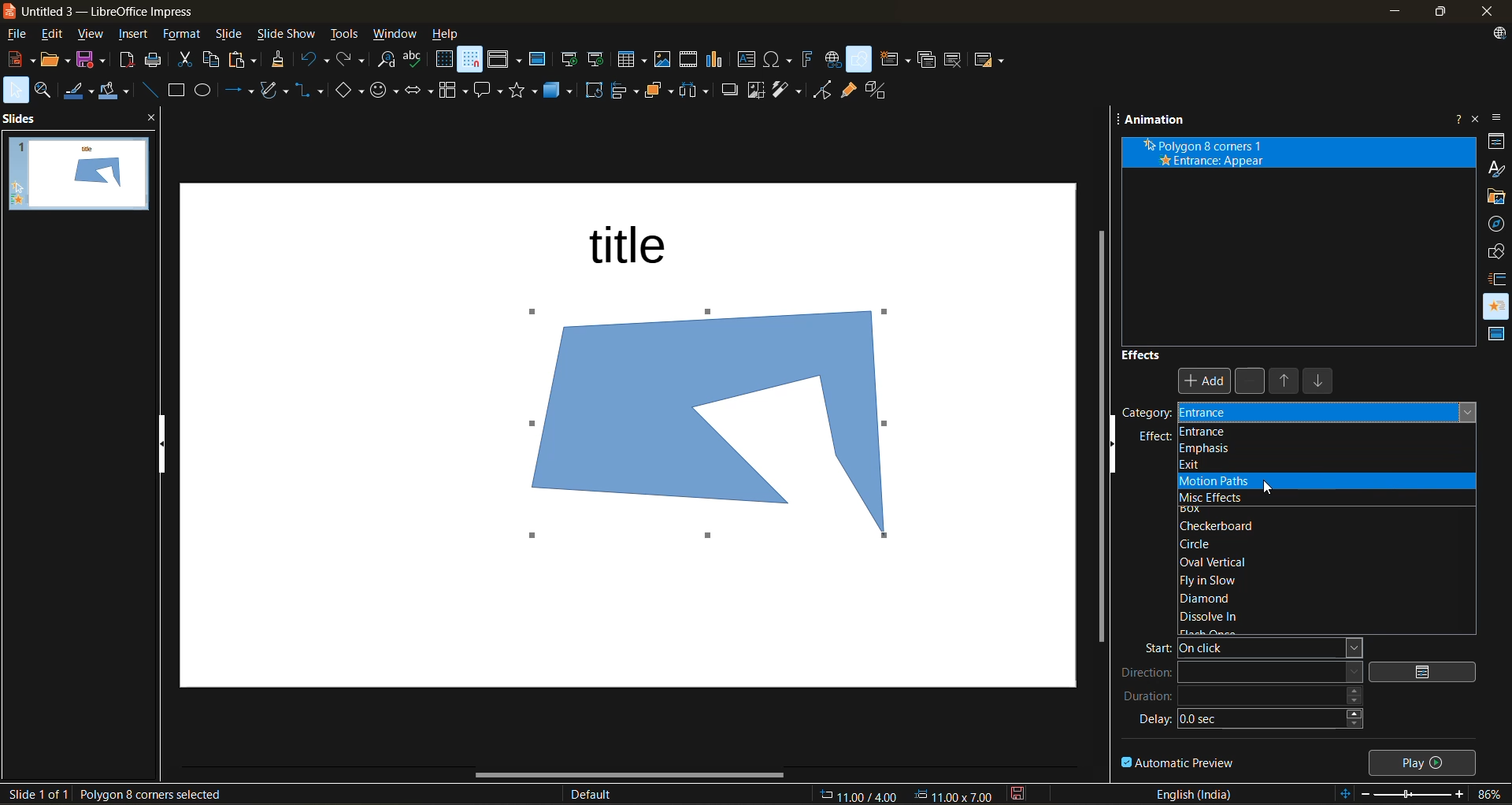 Image resolution: width=1512 pixels, height=805 pixels. Describe the element at coordinates (1288, 383) in the screenshot. I see `move up` at that location.